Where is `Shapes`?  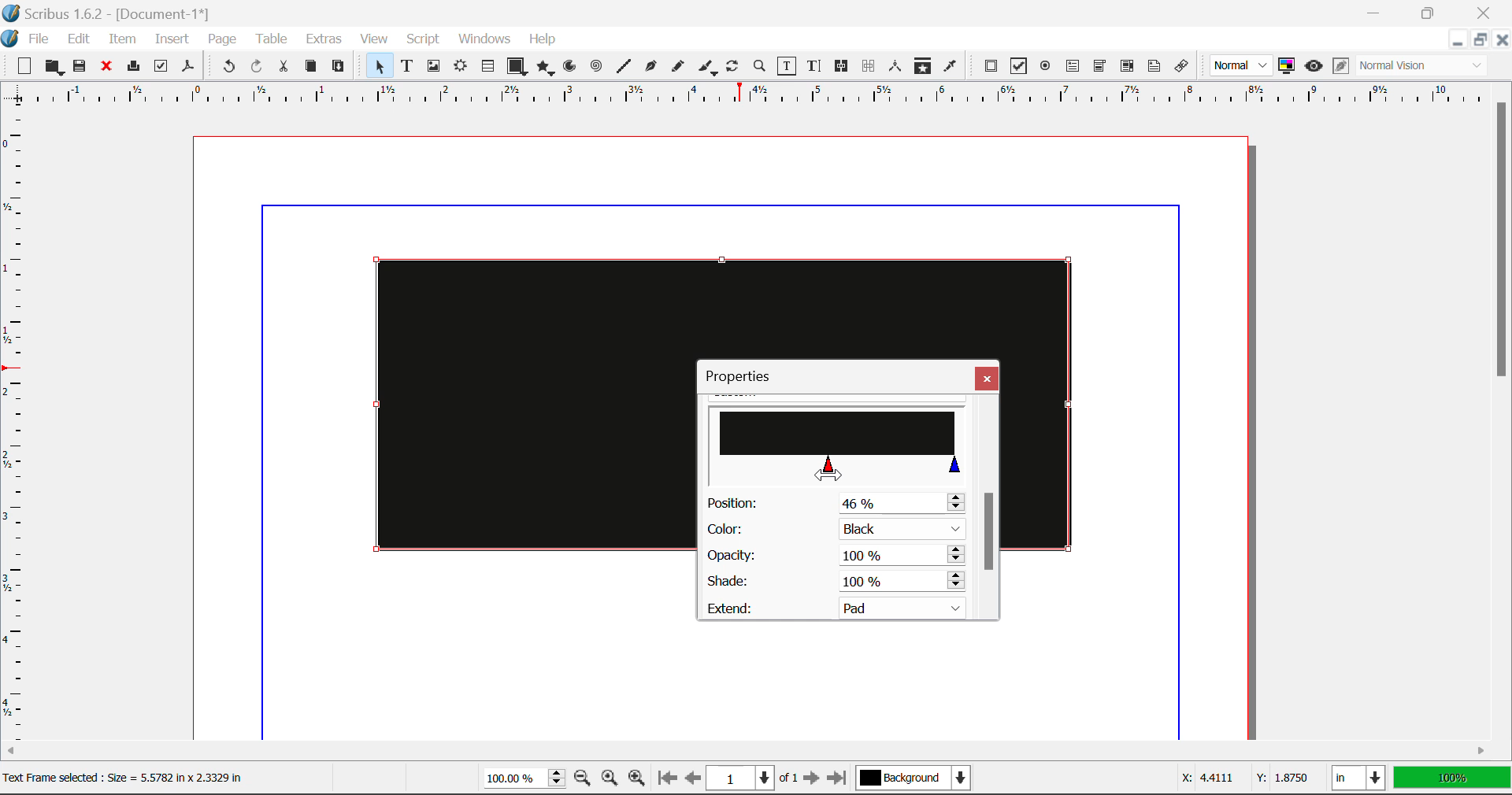 Shapes is located at coordinates (517, 68).